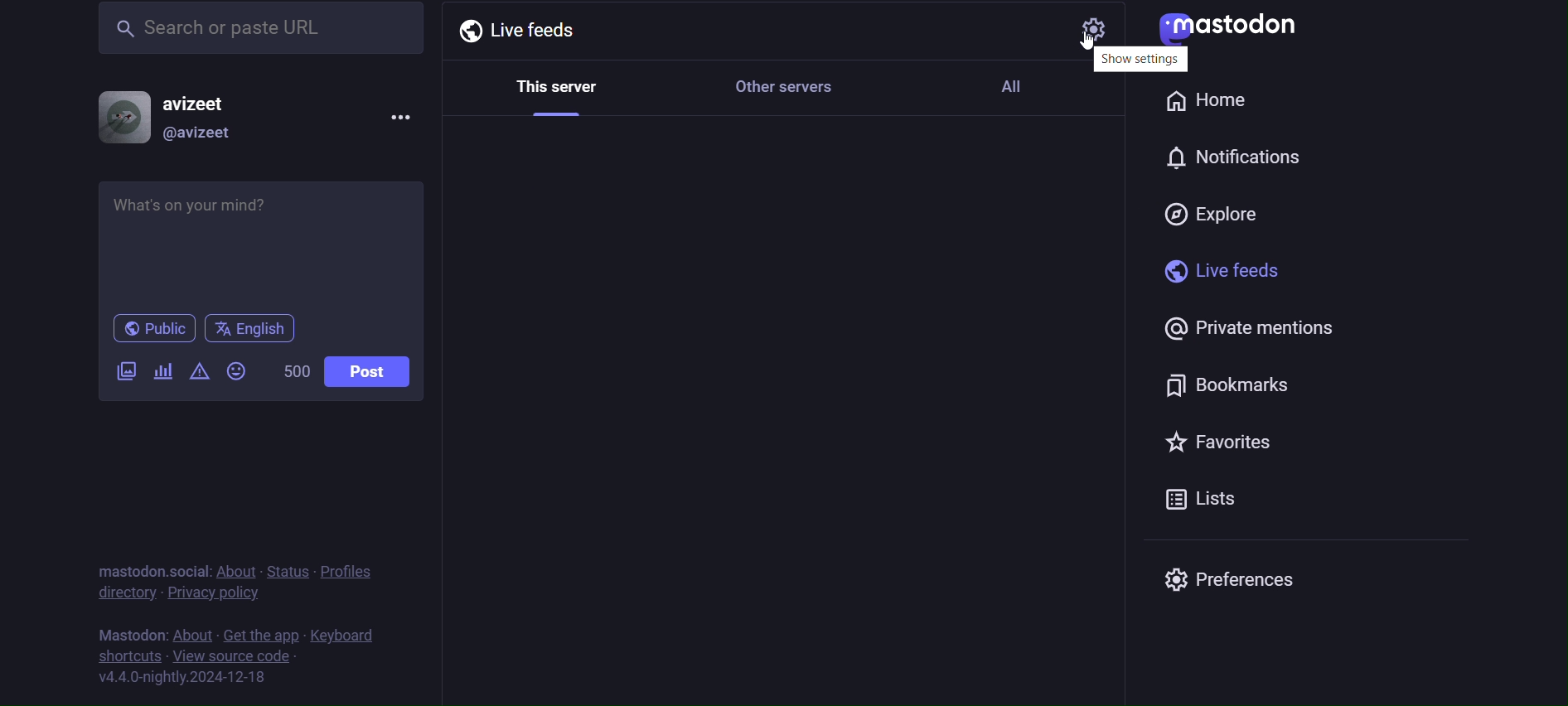 The width and height of the screenshot is (1568, 706). Describe the element at coordinates (195, 103) in the screenshot. I see `avizeet` at that location.